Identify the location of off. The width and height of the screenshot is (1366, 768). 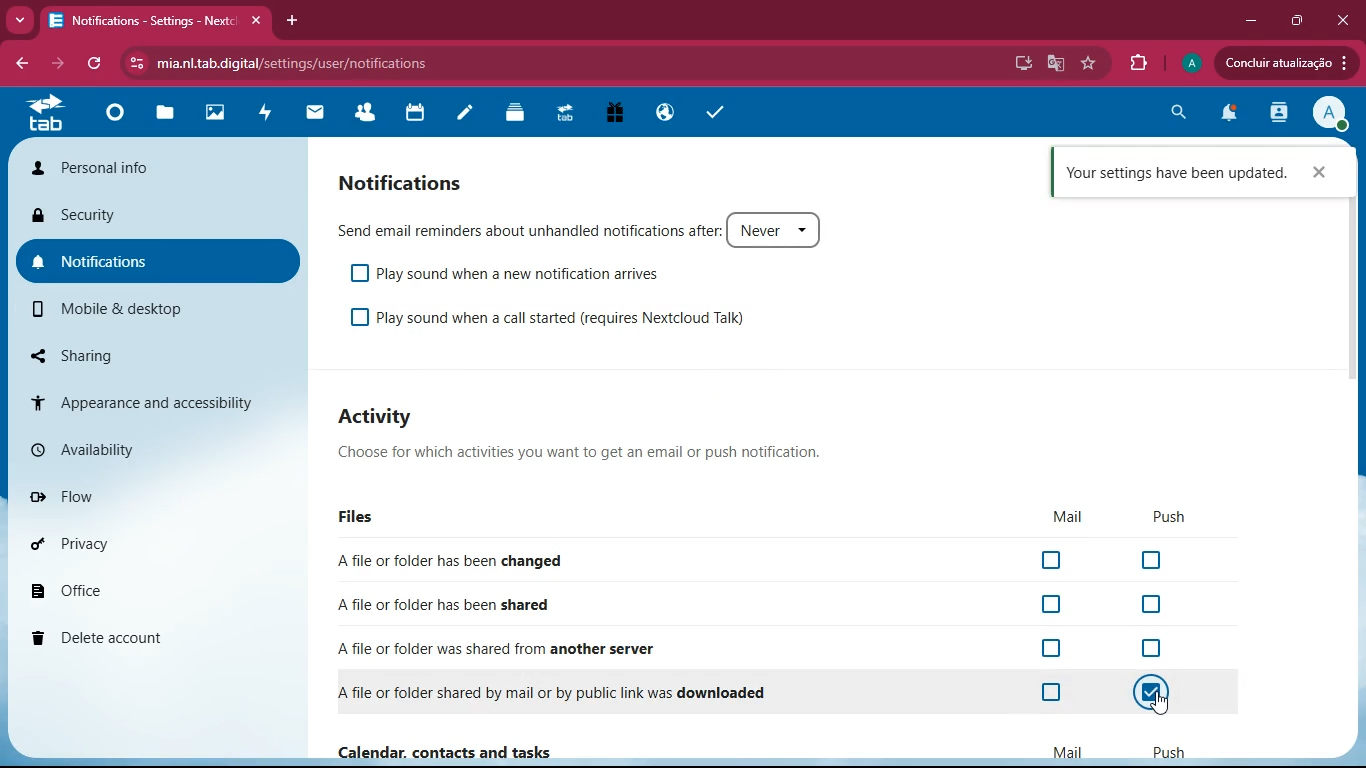
(1149, 559).